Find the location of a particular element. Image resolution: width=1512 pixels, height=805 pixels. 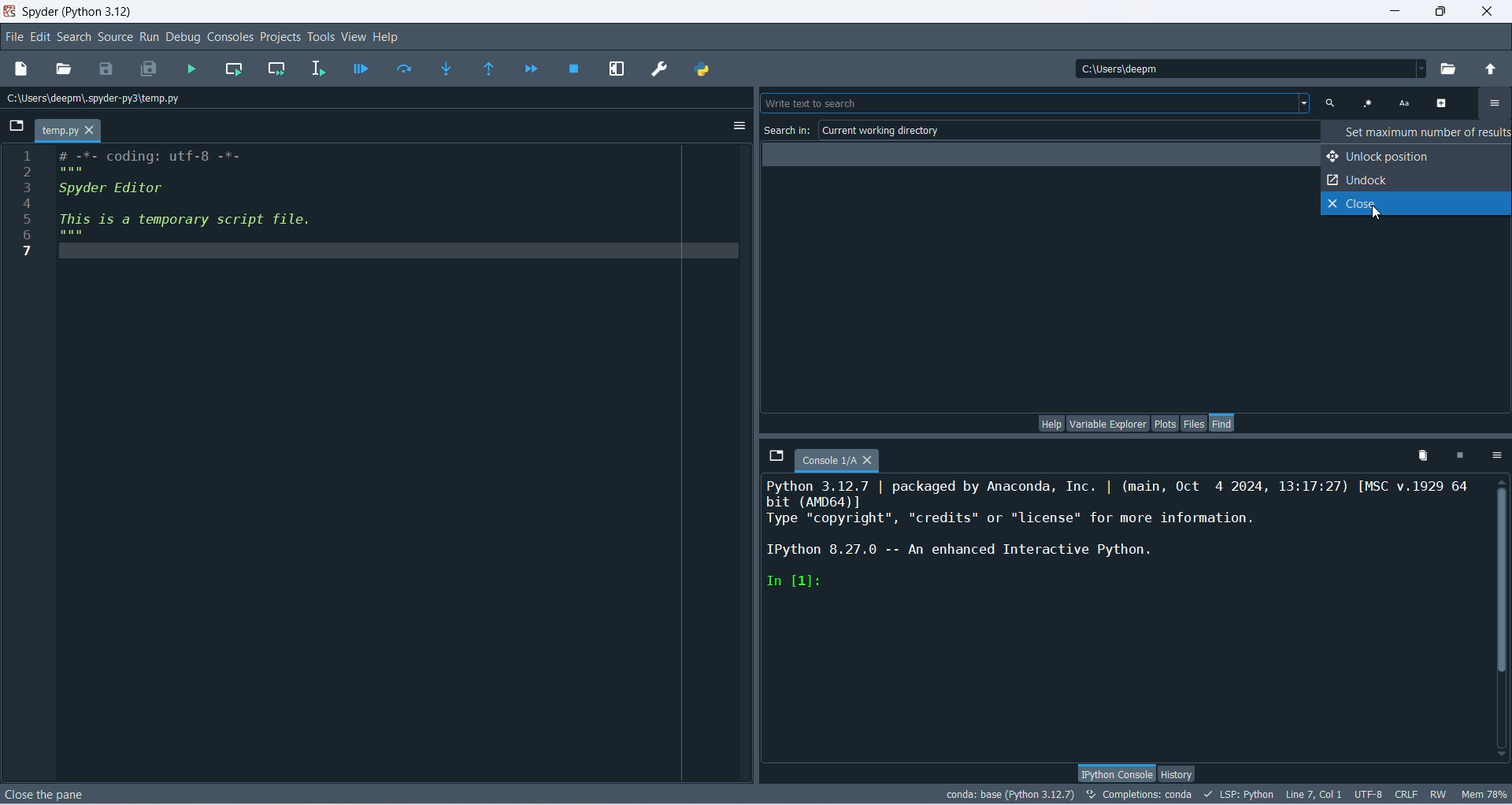

maximize is located at coordinates (1440, 12).